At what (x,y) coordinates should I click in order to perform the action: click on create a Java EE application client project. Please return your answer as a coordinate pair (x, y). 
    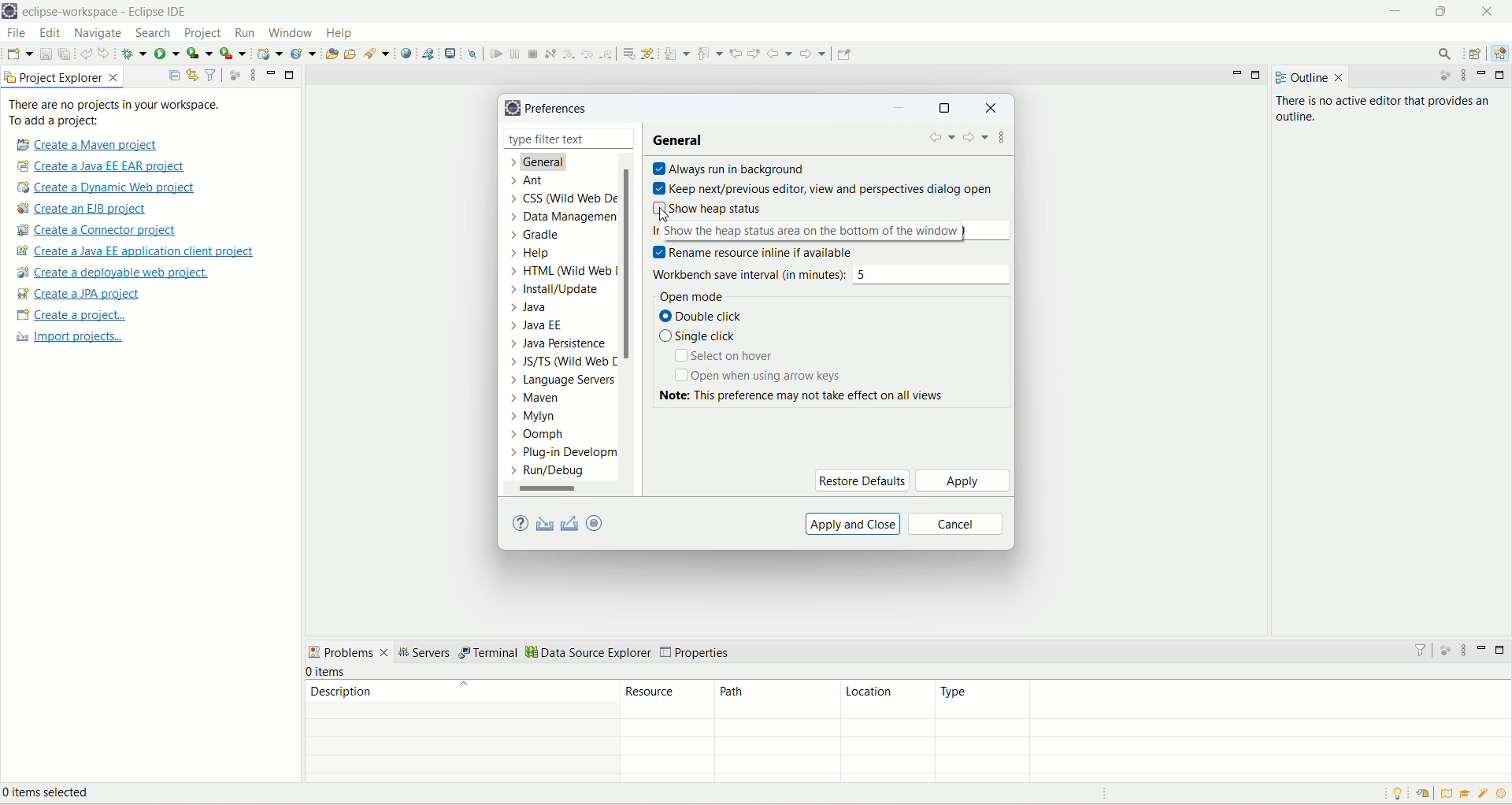
    Looking at the image, I should click on (135, 253).